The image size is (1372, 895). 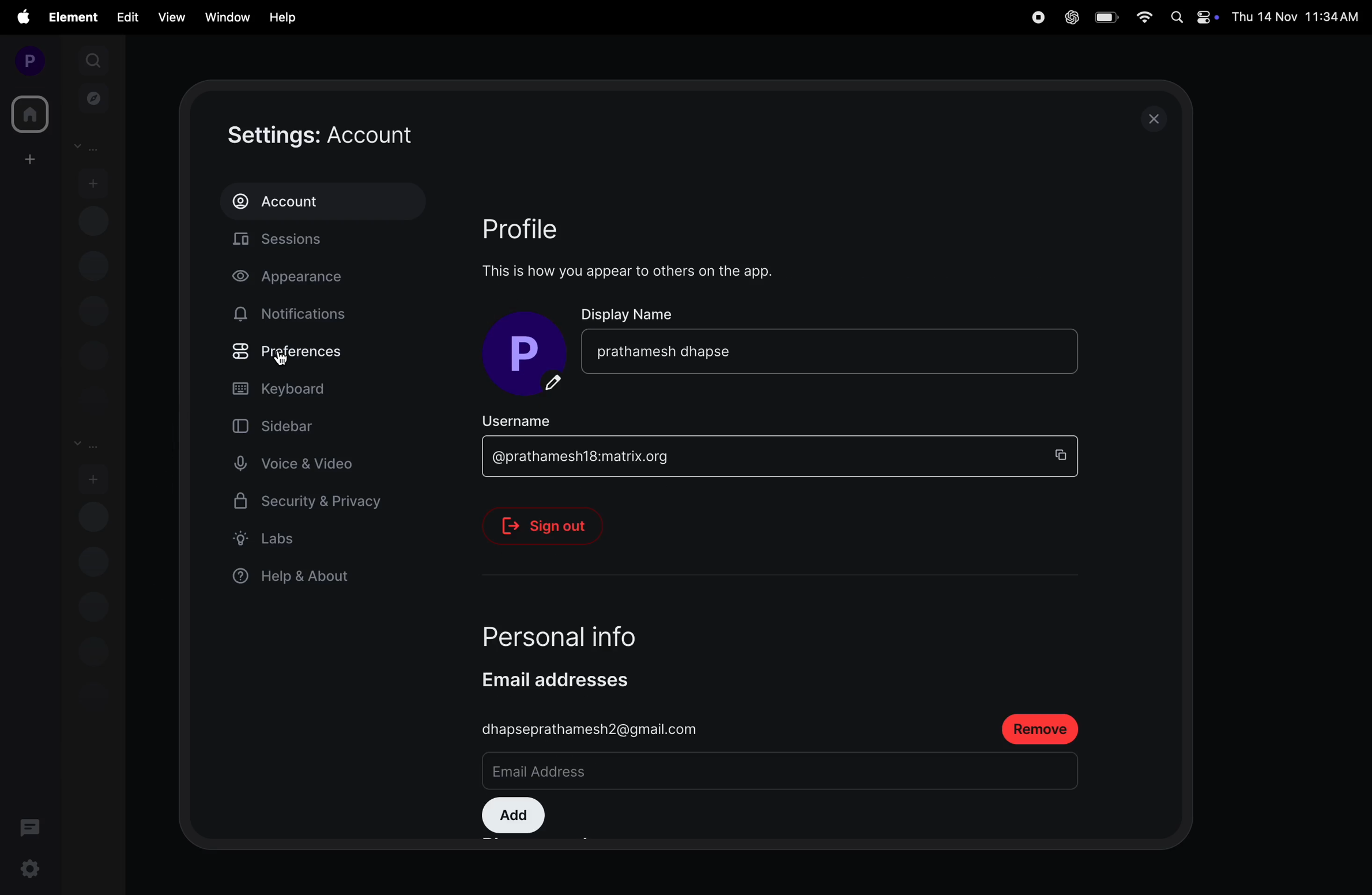 What do you see at coordinates (328, 201) in the screenshot?
I see `account` at bounding box center [328, 201].